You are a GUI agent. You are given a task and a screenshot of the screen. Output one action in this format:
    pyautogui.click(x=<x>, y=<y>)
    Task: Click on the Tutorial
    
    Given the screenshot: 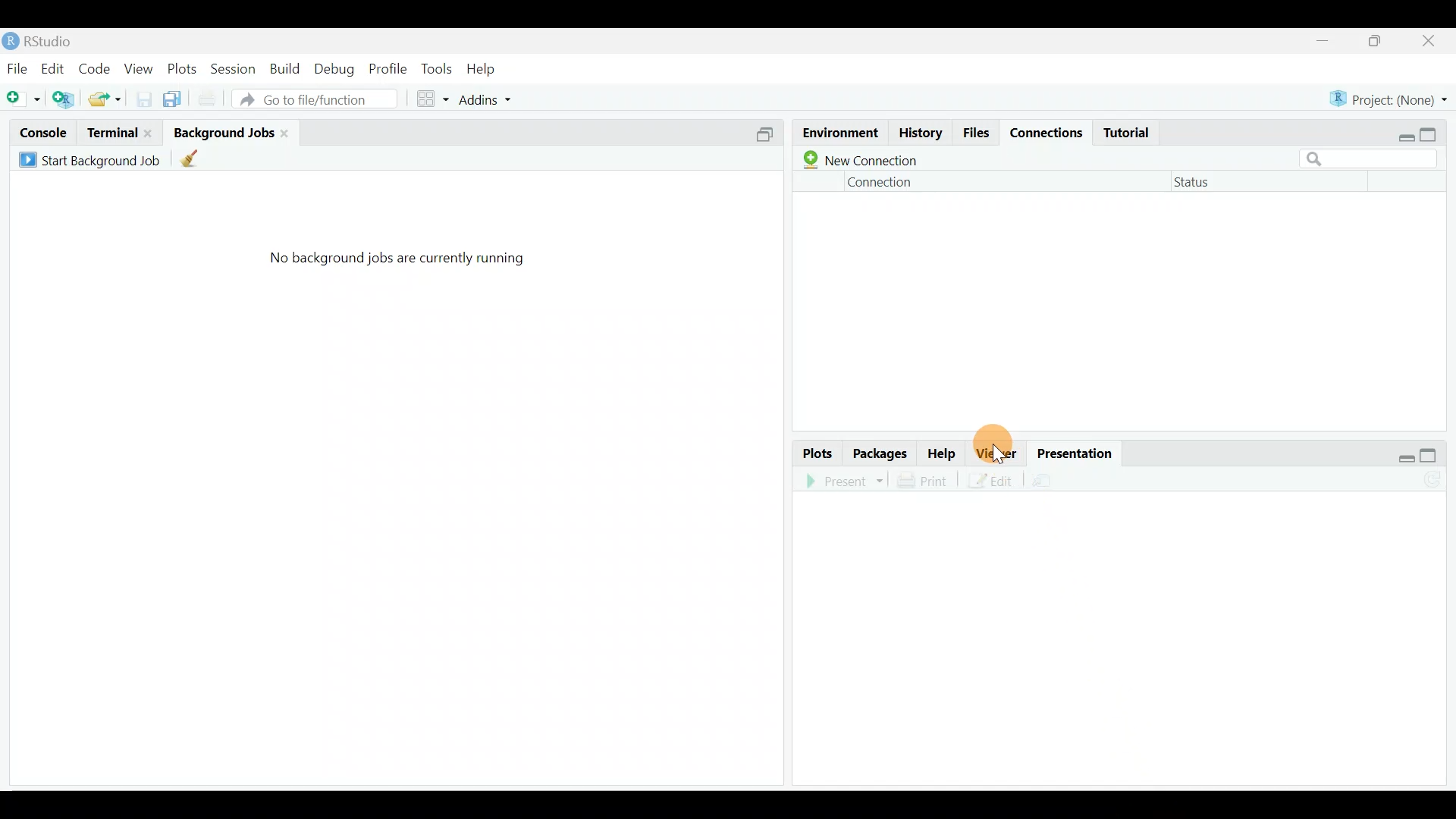 What is the action you would take?
    pyautogui.click(x=1132, y=132)
    